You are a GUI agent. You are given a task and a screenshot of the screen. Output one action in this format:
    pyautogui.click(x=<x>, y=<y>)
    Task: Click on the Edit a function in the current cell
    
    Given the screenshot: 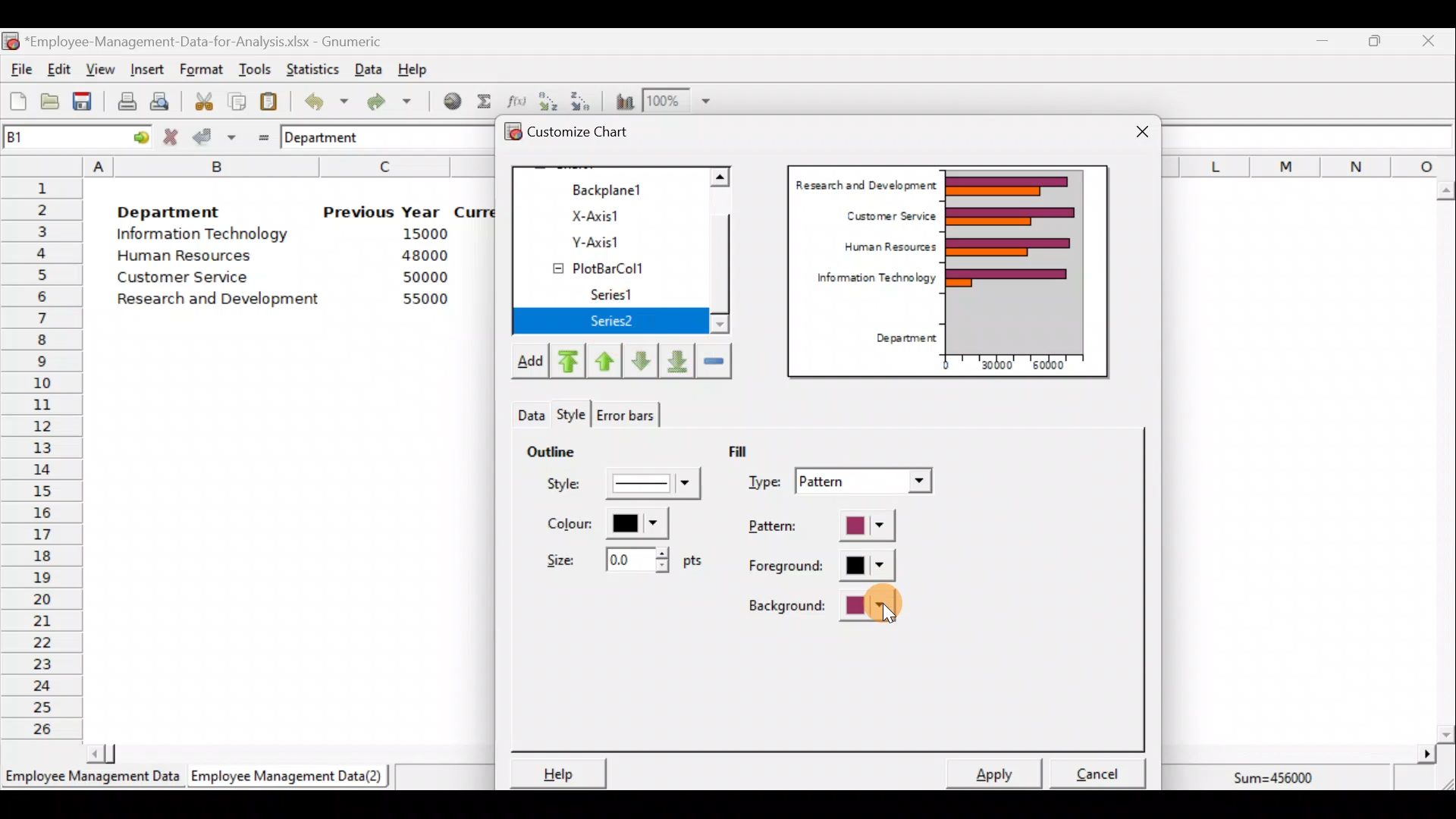 What is the action you would take?
    pyautogui.click(x=516, y=100)
    